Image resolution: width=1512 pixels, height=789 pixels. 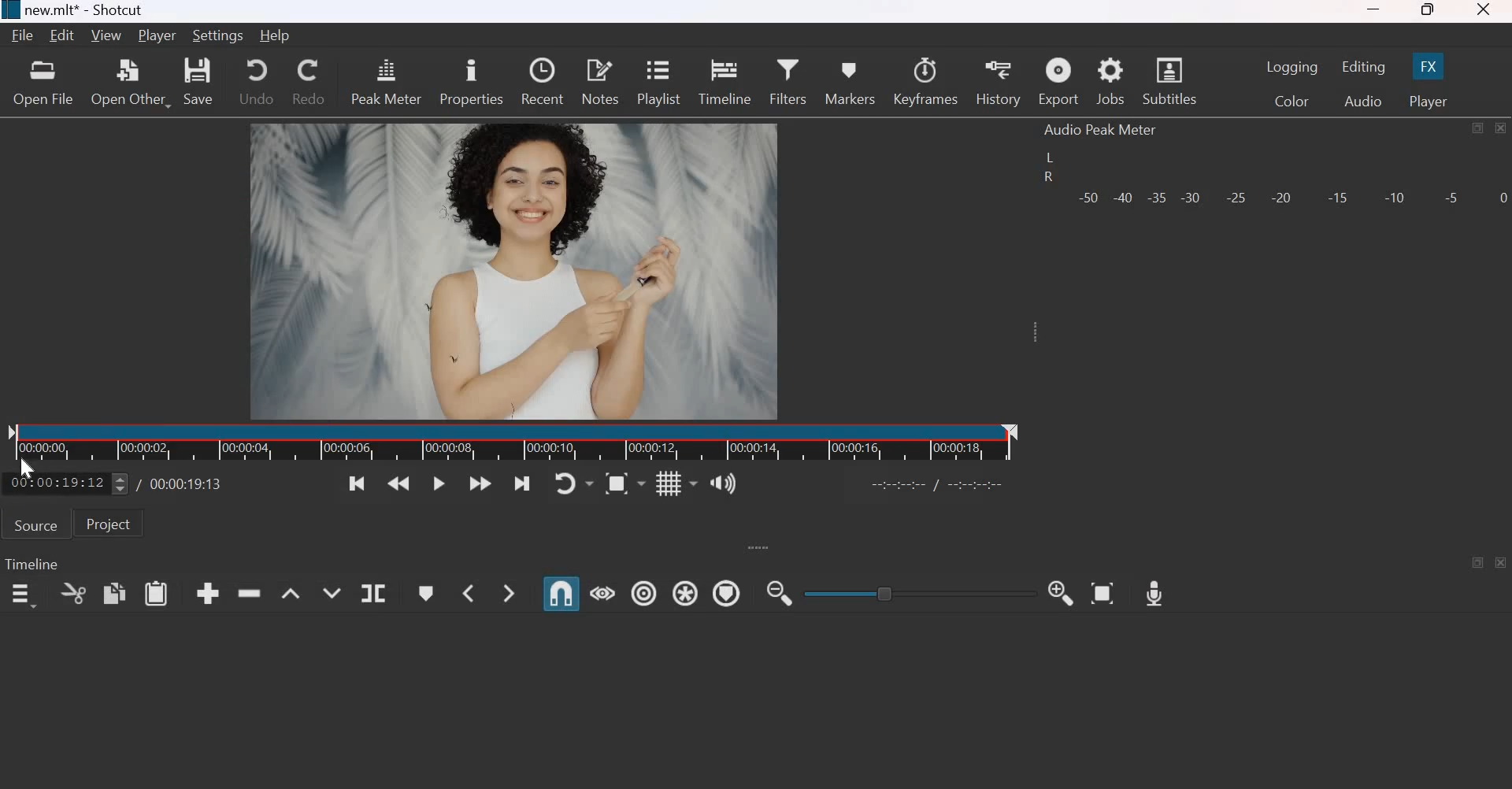 What do you see at coordinates (1060, 591) in the screenshot?
I see ` Zoom Timeline in` at bounding box center [1060, 591].